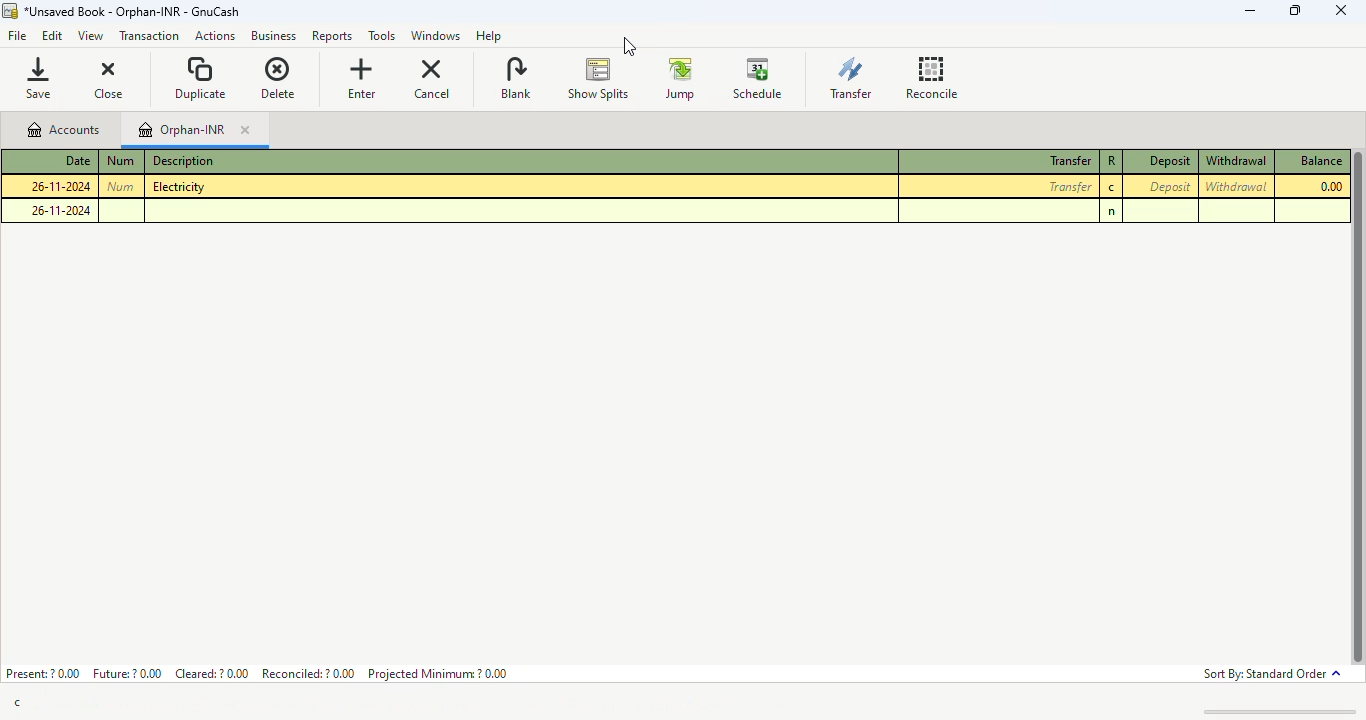 The width and height of the screenshot is (1366, 720). What do you see at coordinates (1112, 212) in the screenshot?
I see `not cleared` at bounding box center [1112, 212].